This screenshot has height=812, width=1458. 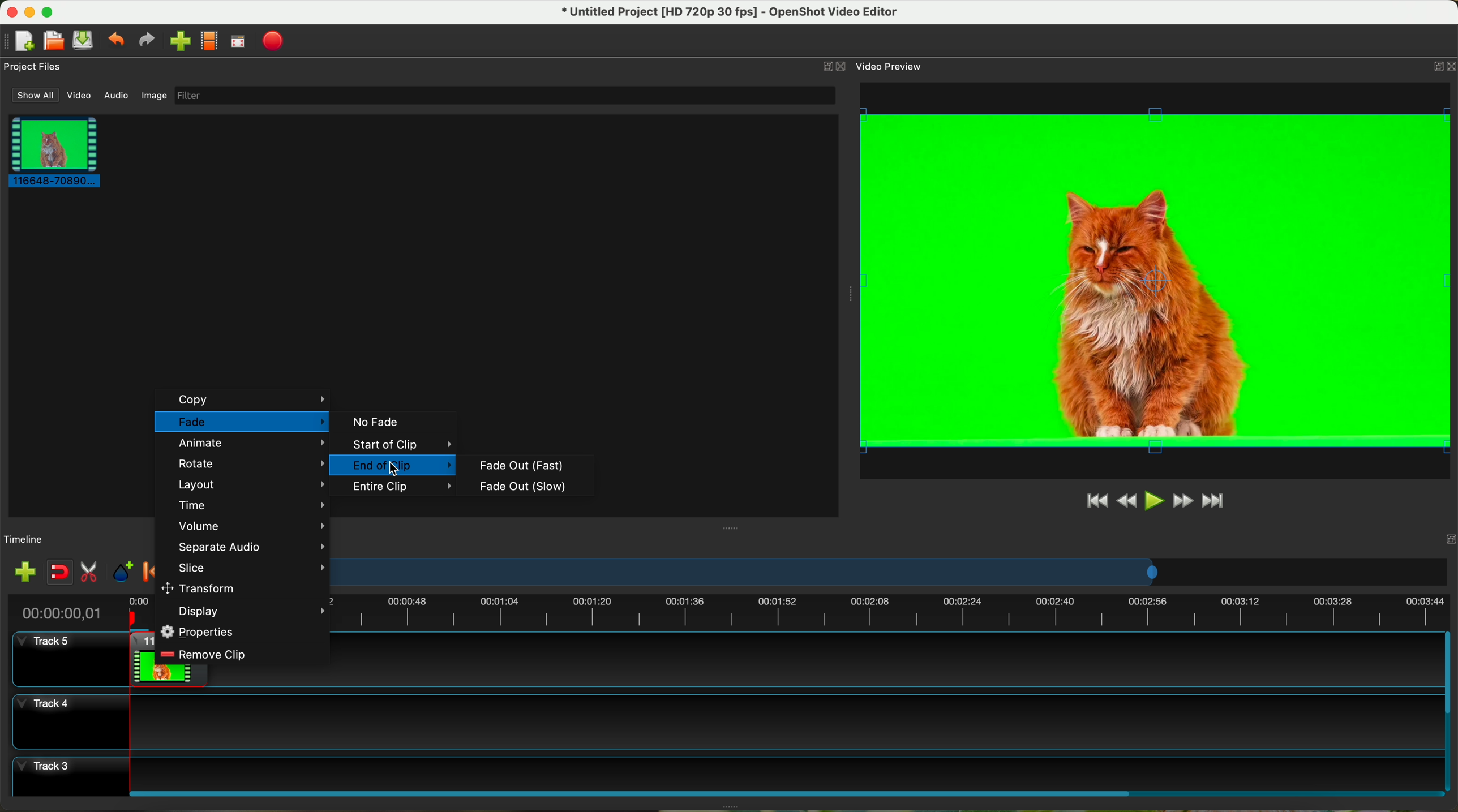 I want to click on open project, so click(x=55, y=40).